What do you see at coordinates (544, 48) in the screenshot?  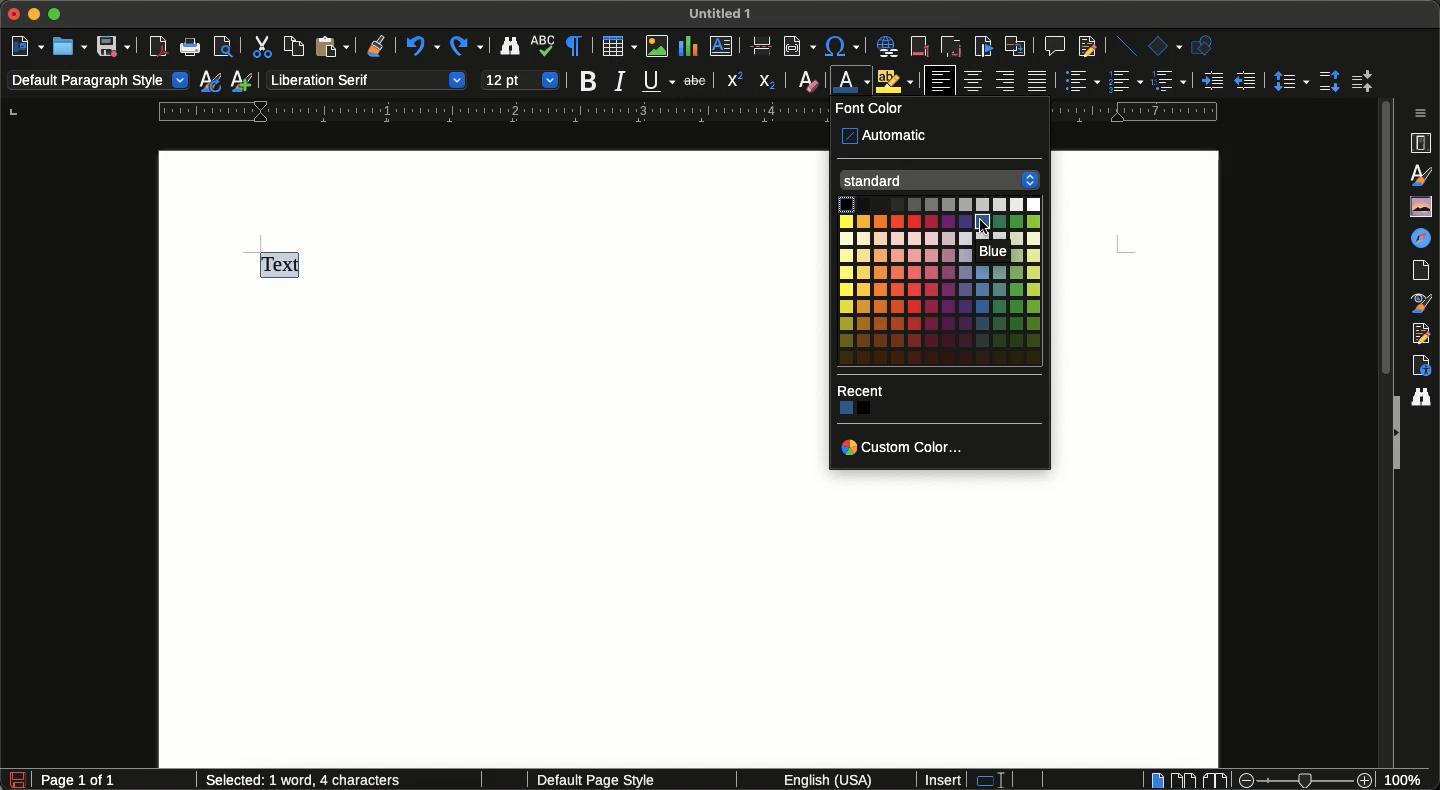 I see `Spelling` at bounding box center [544, 48].